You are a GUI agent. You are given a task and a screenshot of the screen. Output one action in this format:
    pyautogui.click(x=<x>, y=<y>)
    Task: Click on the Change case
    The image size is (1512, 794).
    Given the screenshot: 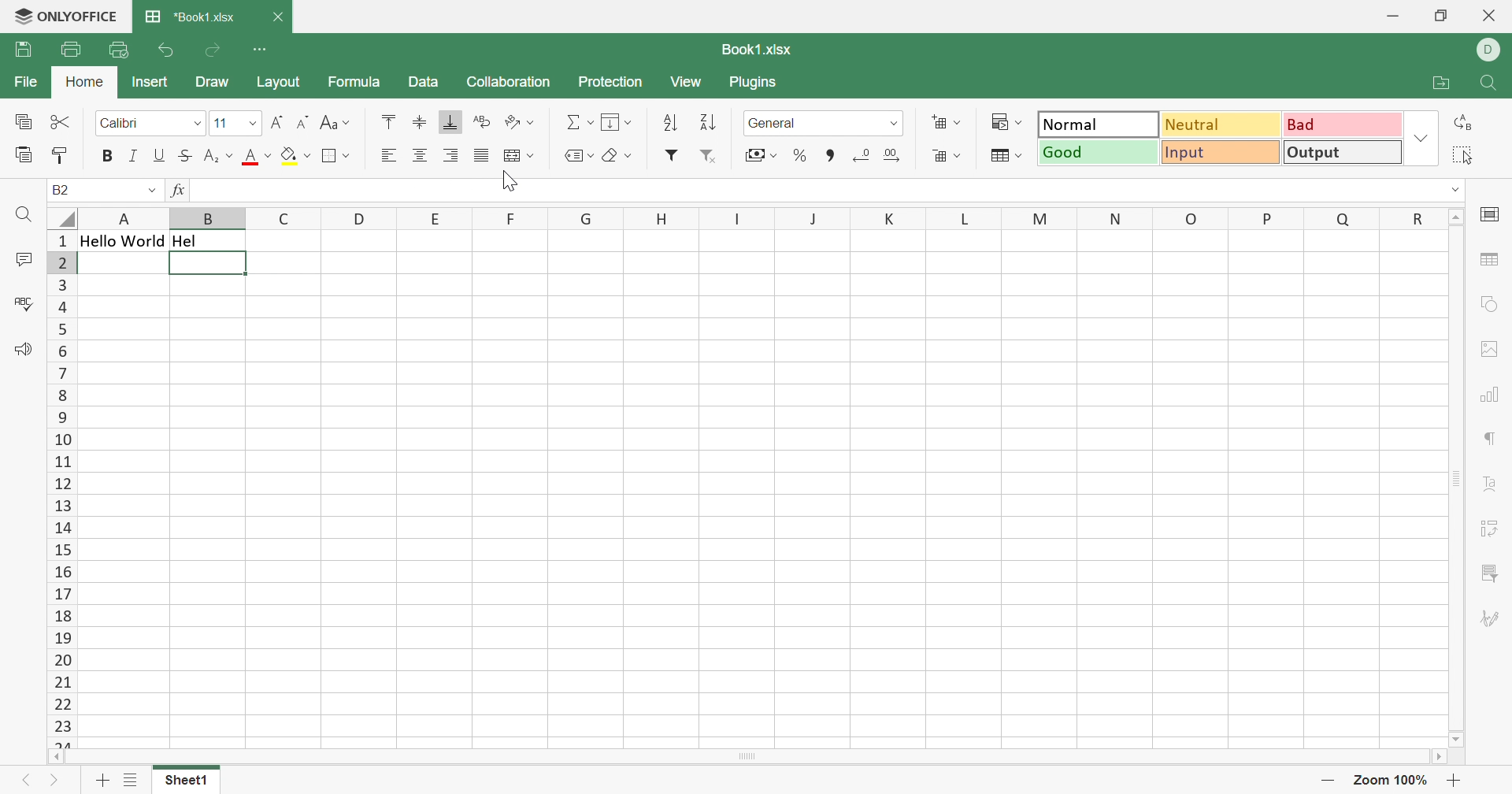 What is the action you would take?
    pyautogui.click(x=335, y=122)
    